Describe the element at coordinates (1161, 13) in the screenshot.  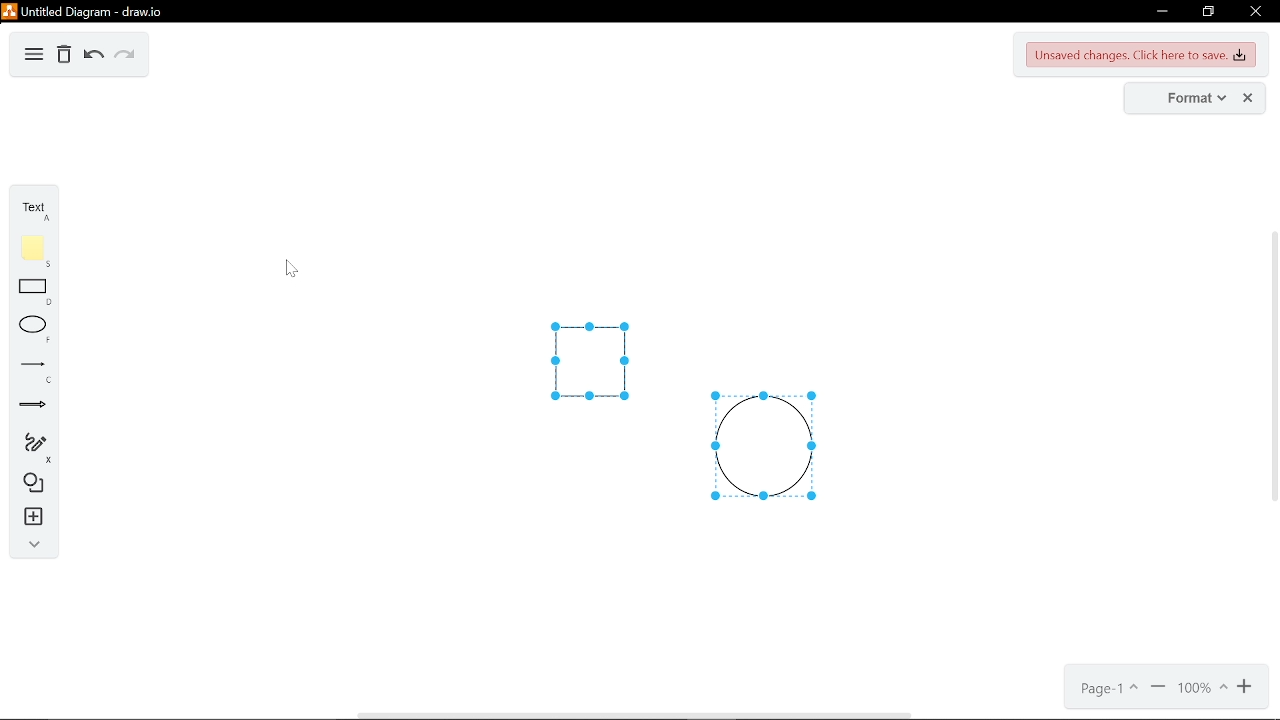
I see `minimize` at that location.